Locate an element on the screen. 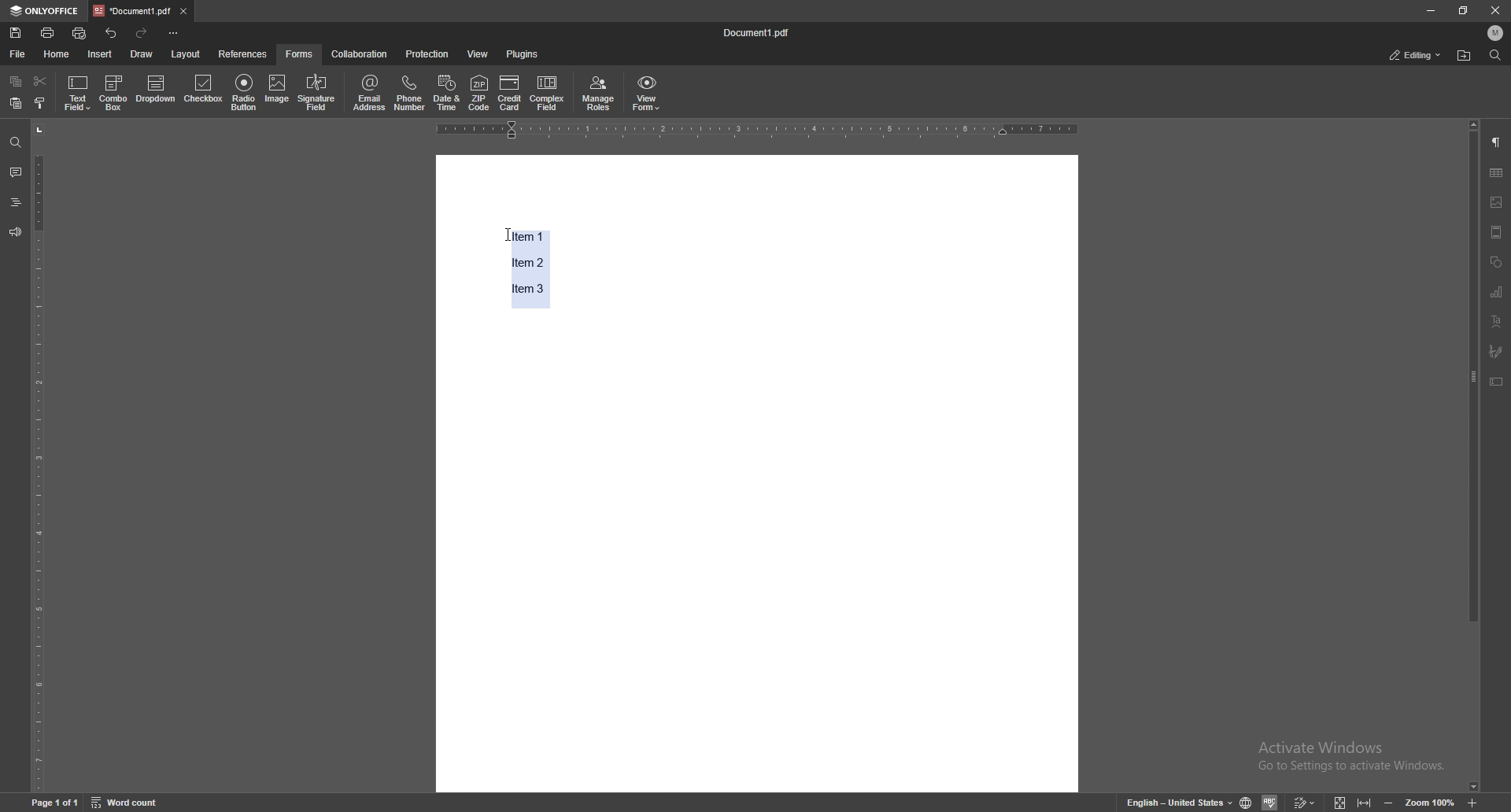  checkbox is located at coordinates (204, 90).